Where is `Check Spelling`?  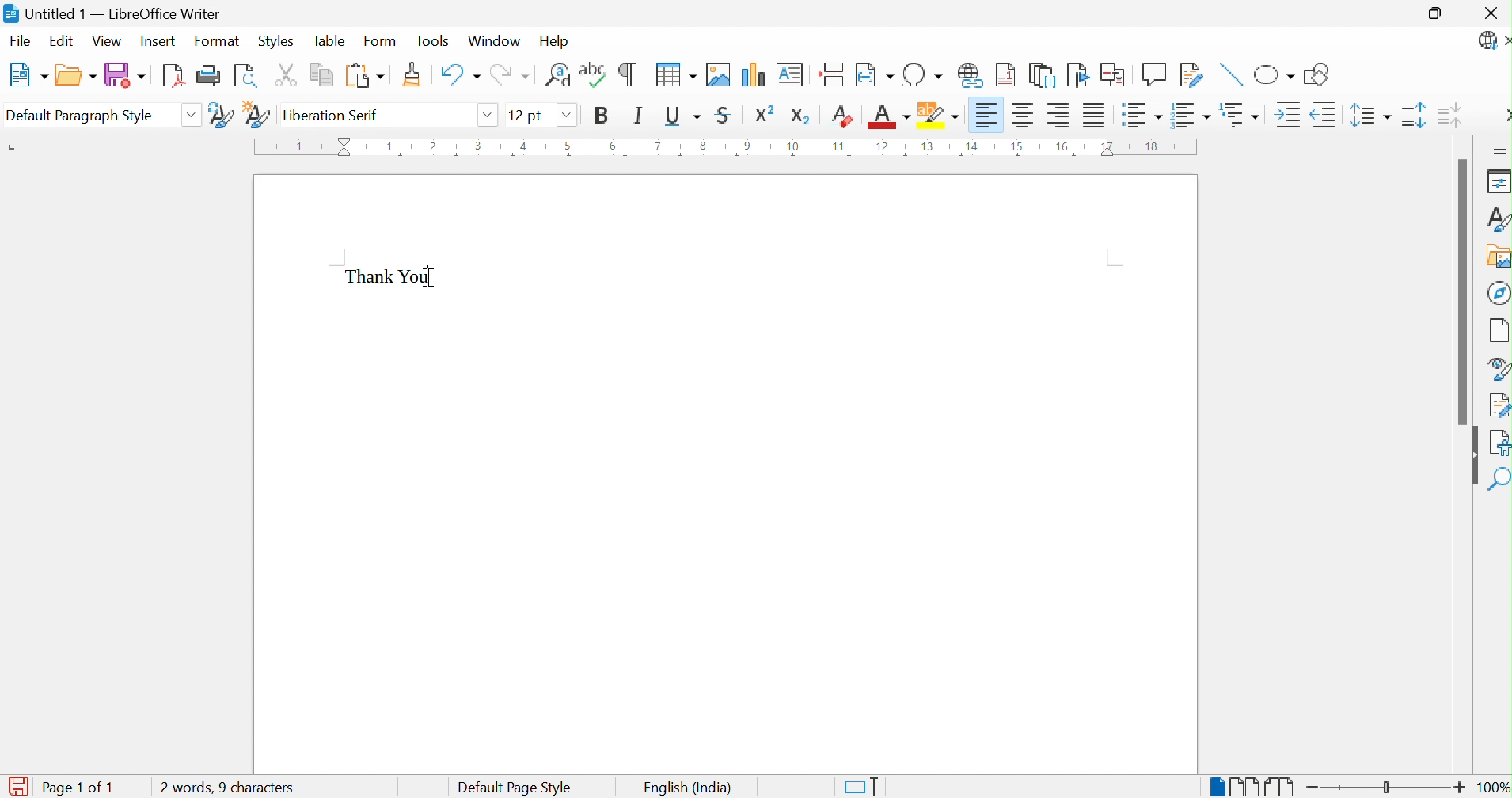
Check Spelling is located at coordinates (593, 78).